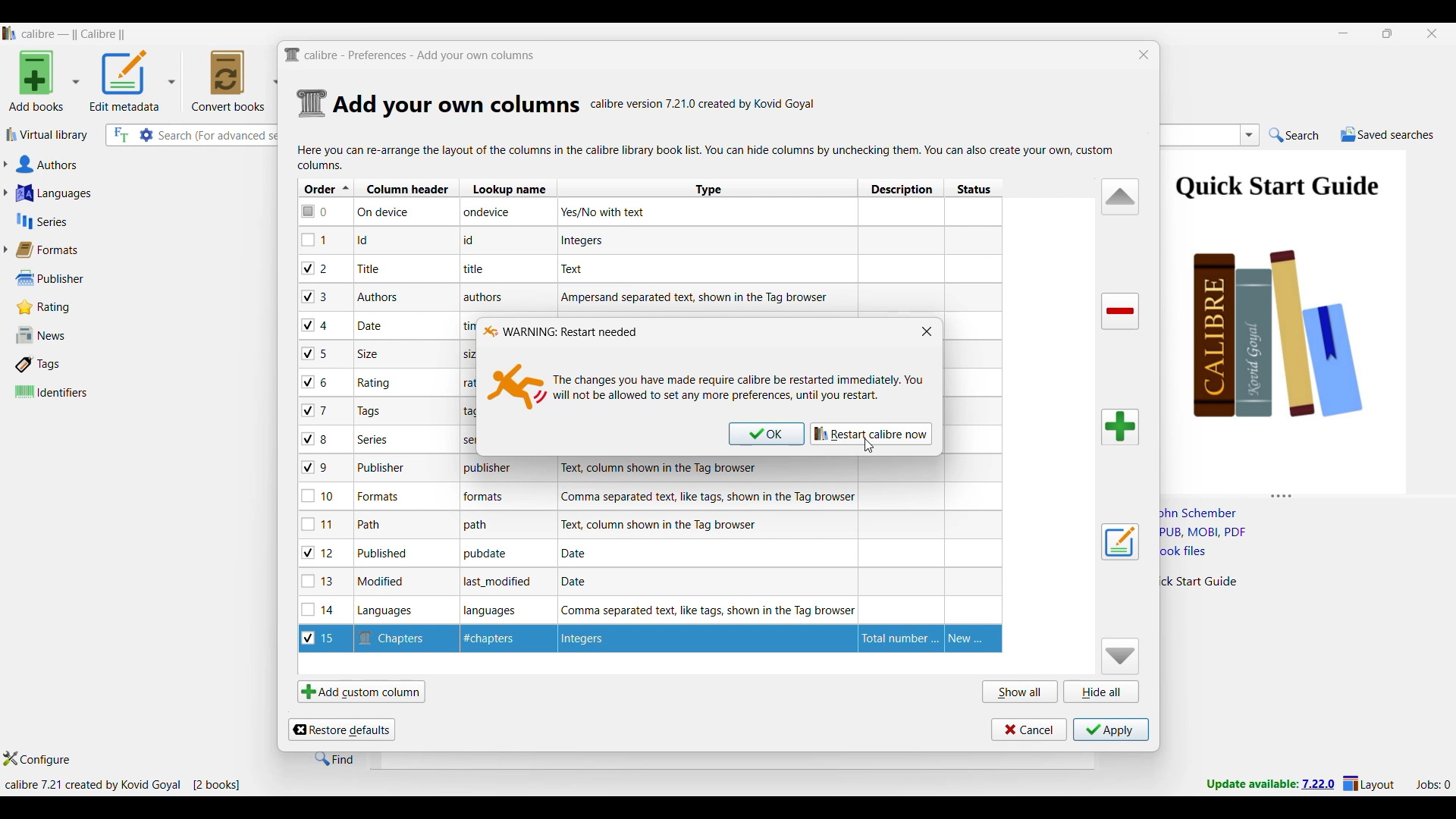 Image resolution: width=1456 pixels, height=819 pixels. Describe the element at coordinates (1029, 730) in the screenshot. I see `Cancel` at that location.